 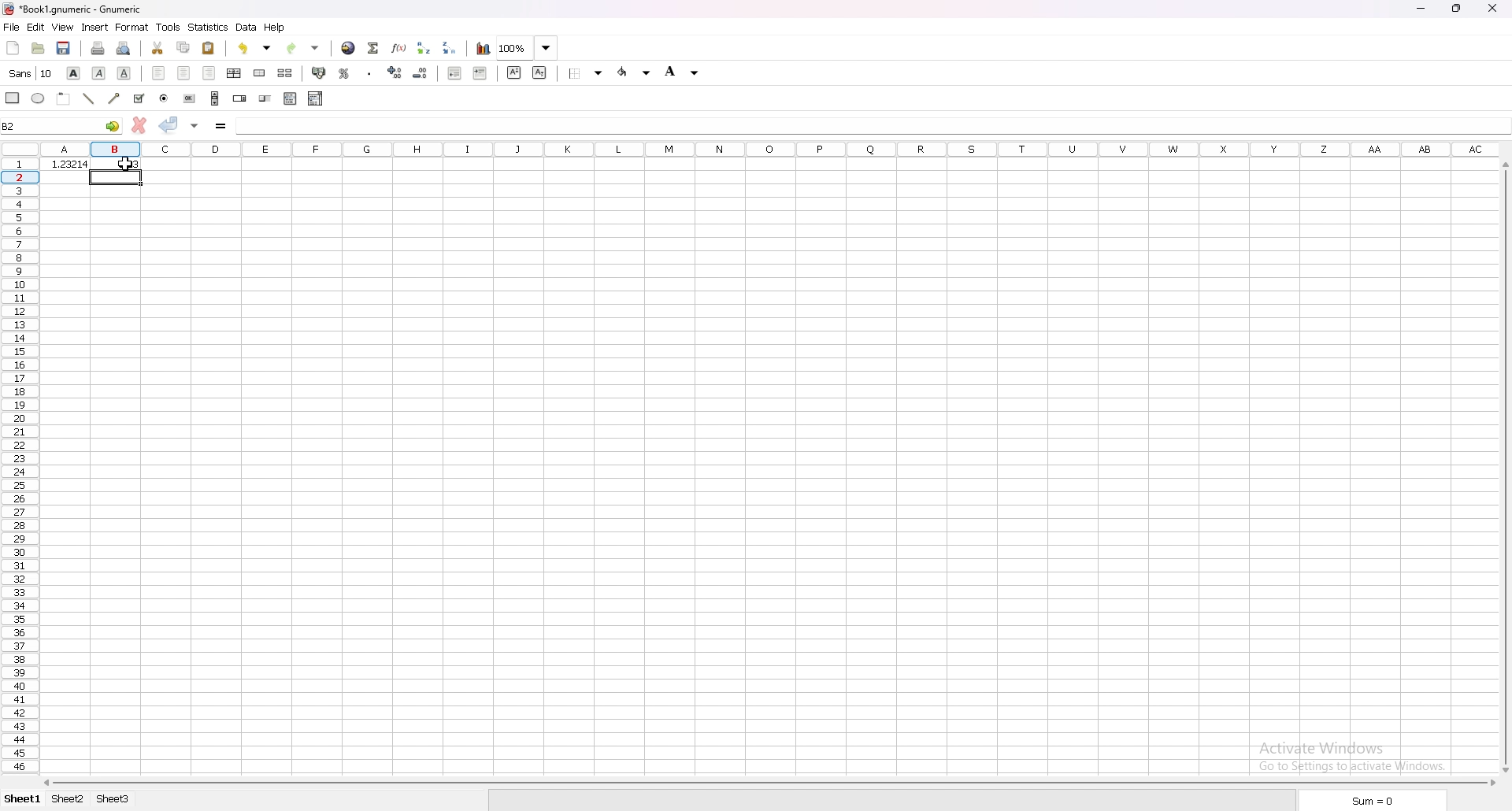 What do you see at coordinates (769, 783) in the screenshot?
I see `scroll bar` at bounding box center [769, 783].